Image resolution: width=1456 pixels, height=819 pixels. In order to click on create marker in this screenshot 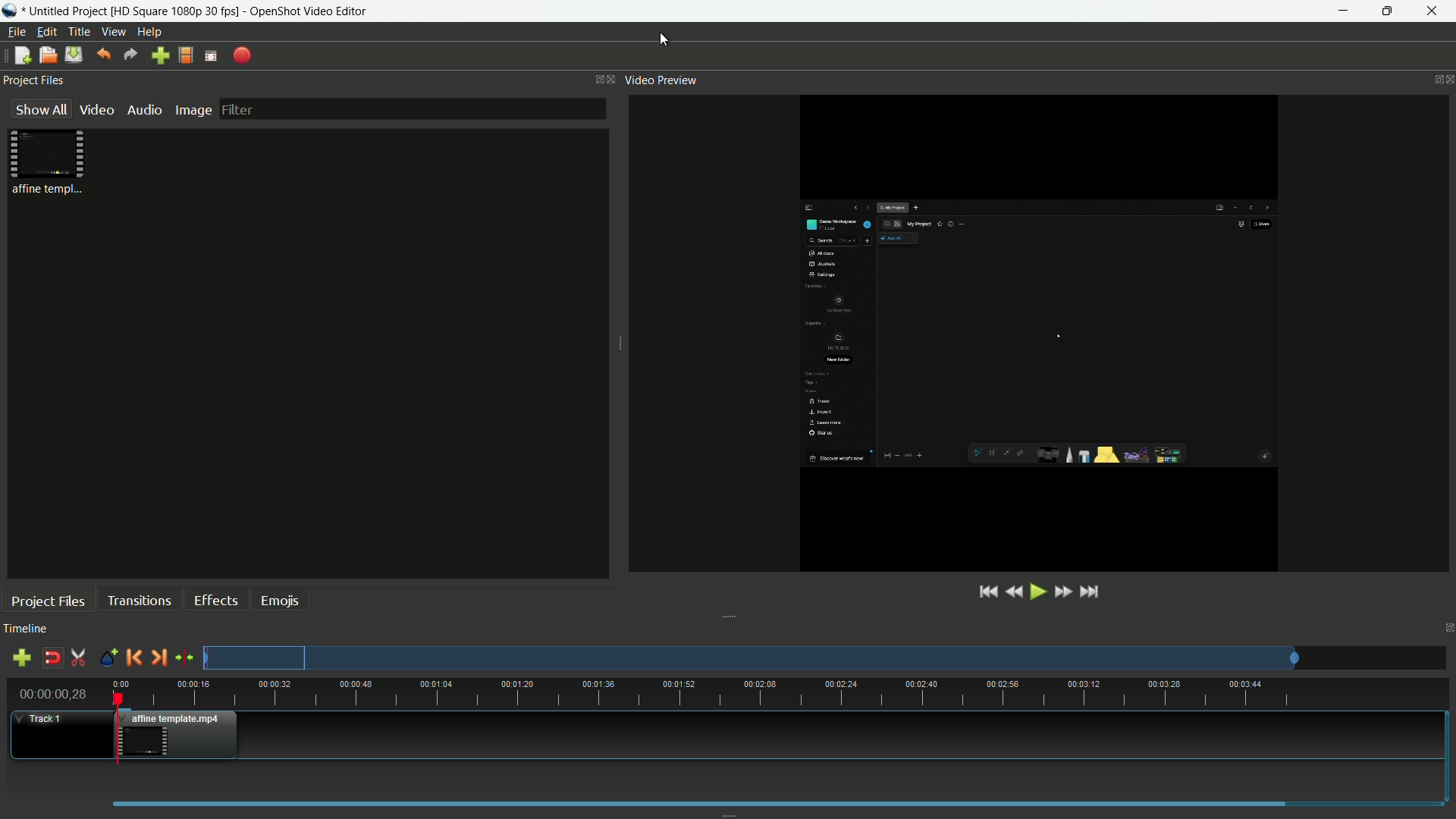, I will do `click(108, 659)`.